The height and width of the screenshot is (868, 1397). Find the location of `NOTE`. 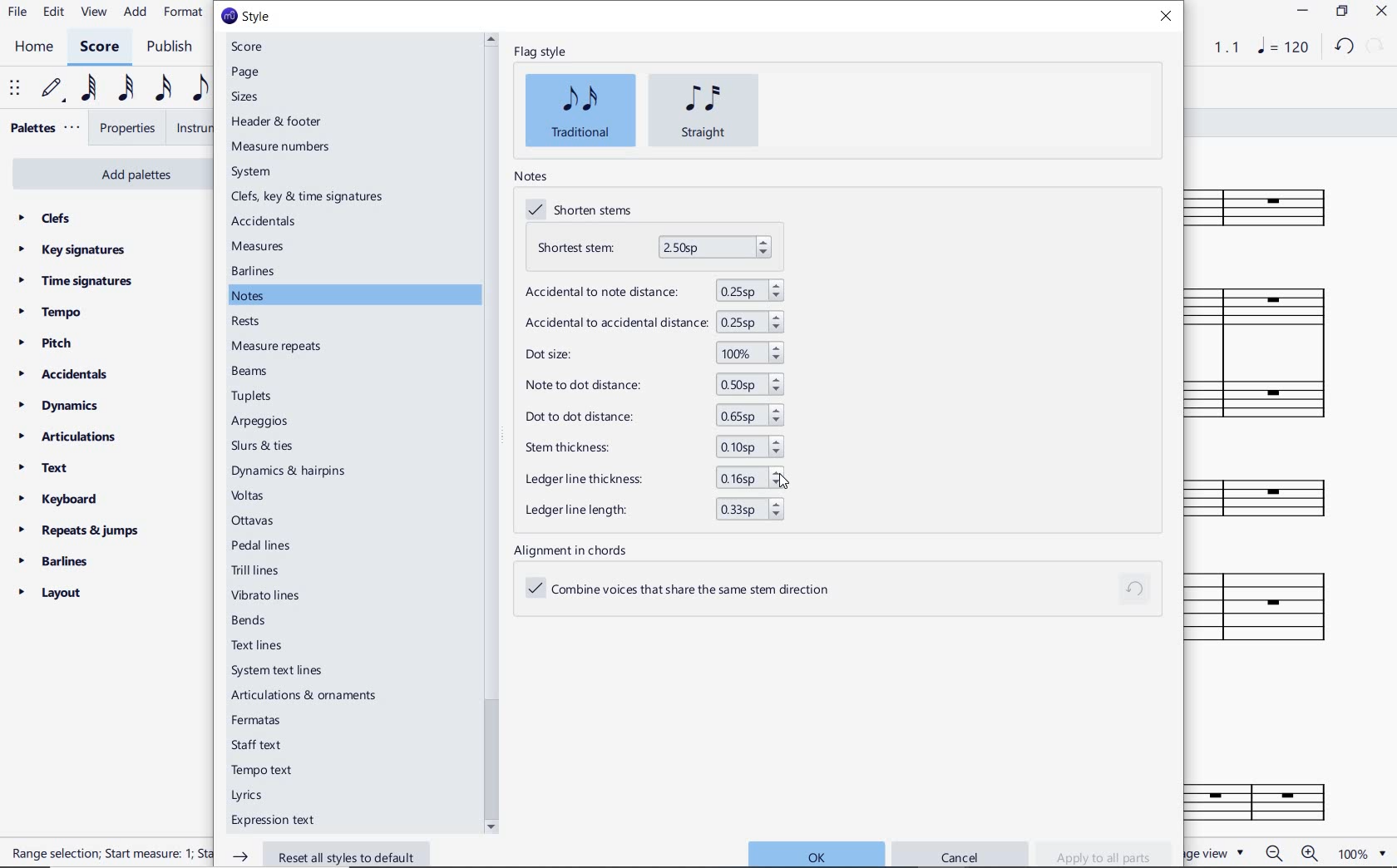

NOTE is located at coordinates (1284, 46).